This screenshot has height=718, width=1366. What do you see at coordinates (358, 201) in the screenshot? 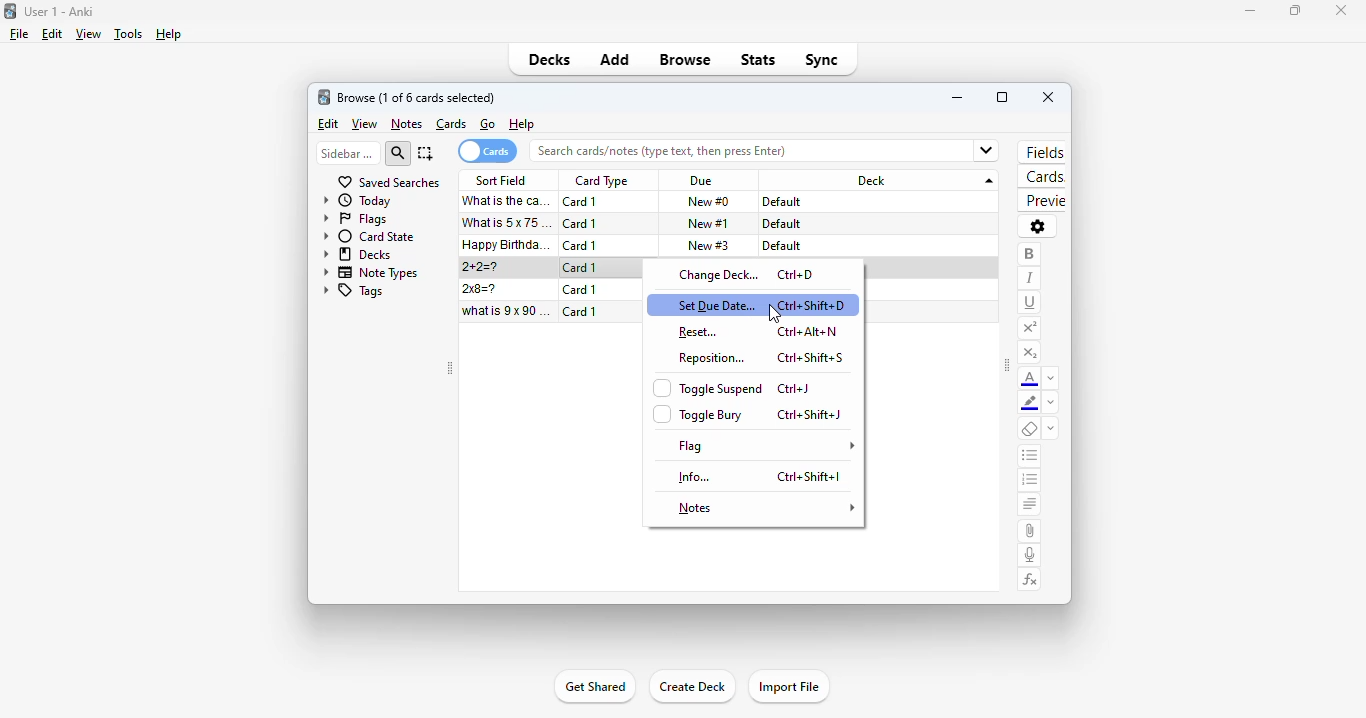
I see `today` at bounding box center [358, 201].